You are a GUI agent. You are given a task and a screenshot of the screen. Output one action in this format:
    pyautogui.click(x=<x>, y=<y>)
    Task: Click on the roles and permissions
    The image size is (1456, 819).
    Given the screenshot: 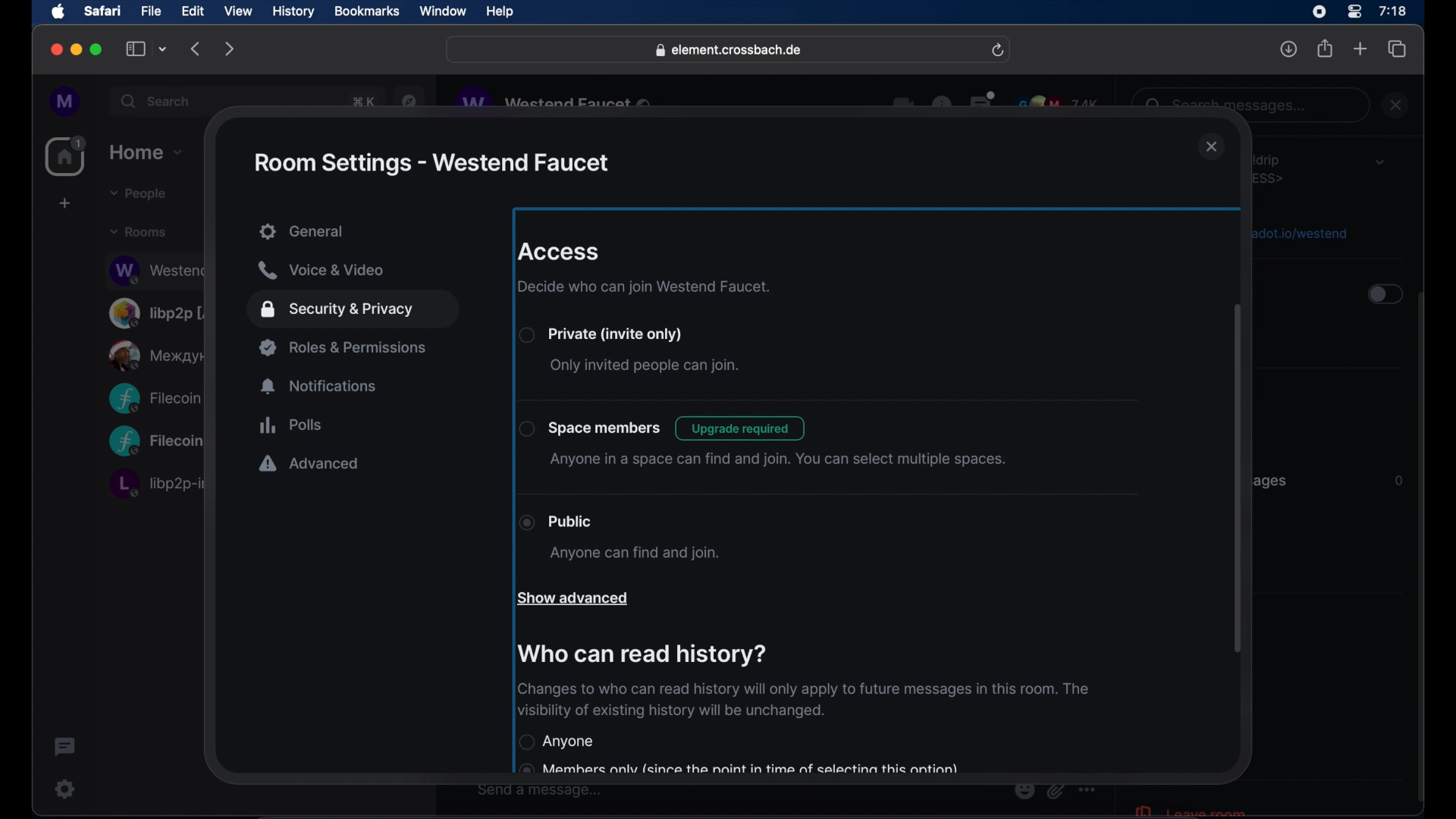 What is the action you would take?
    pyautogui.click(x=345, y=347)
    